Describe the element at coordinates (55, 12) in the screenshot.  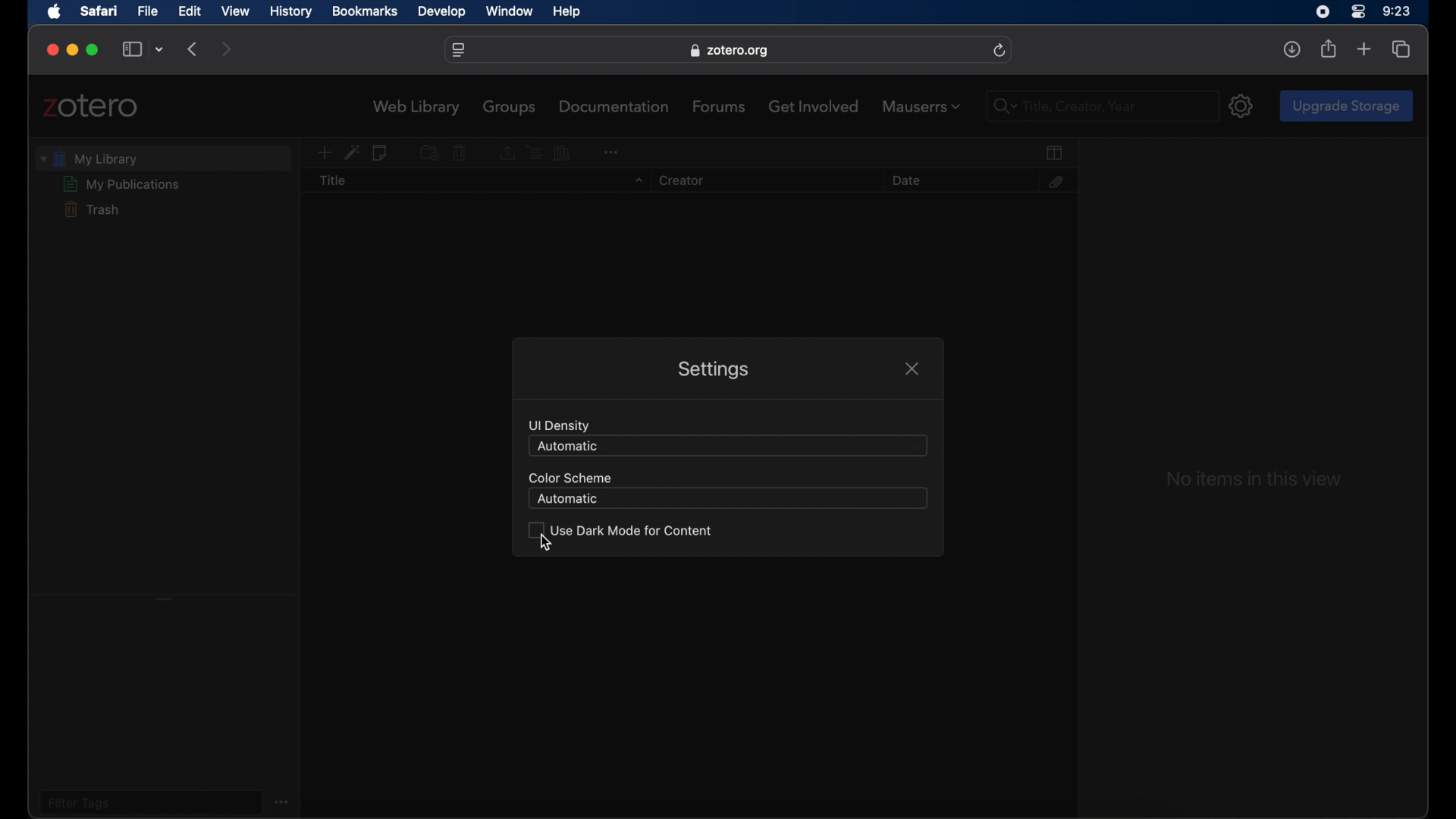
I see `apple icon` at that location.